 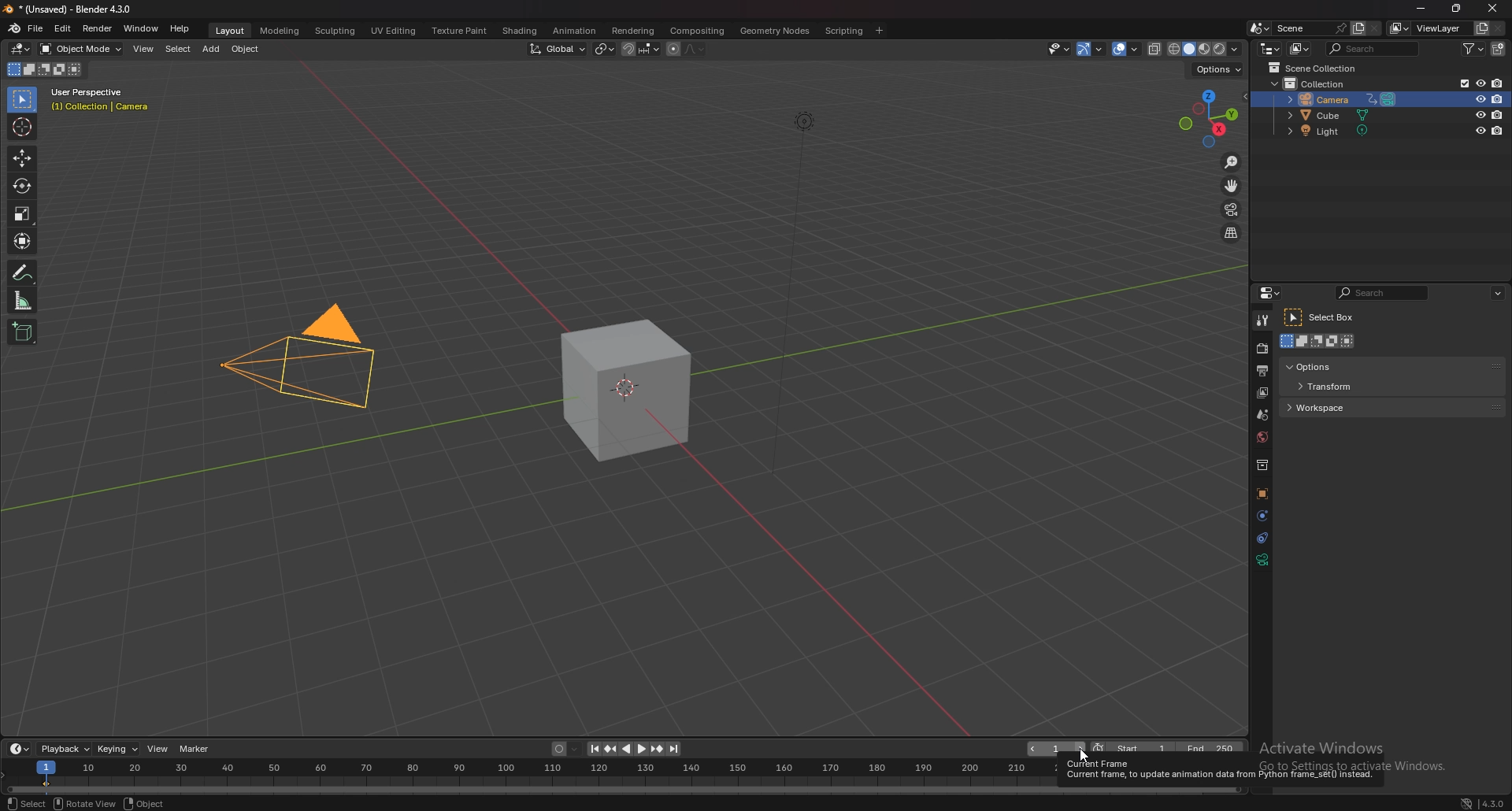 What do you see at coordinates (37, 29) in the screenshot?
I see `file` at bounding box center [37, 29].